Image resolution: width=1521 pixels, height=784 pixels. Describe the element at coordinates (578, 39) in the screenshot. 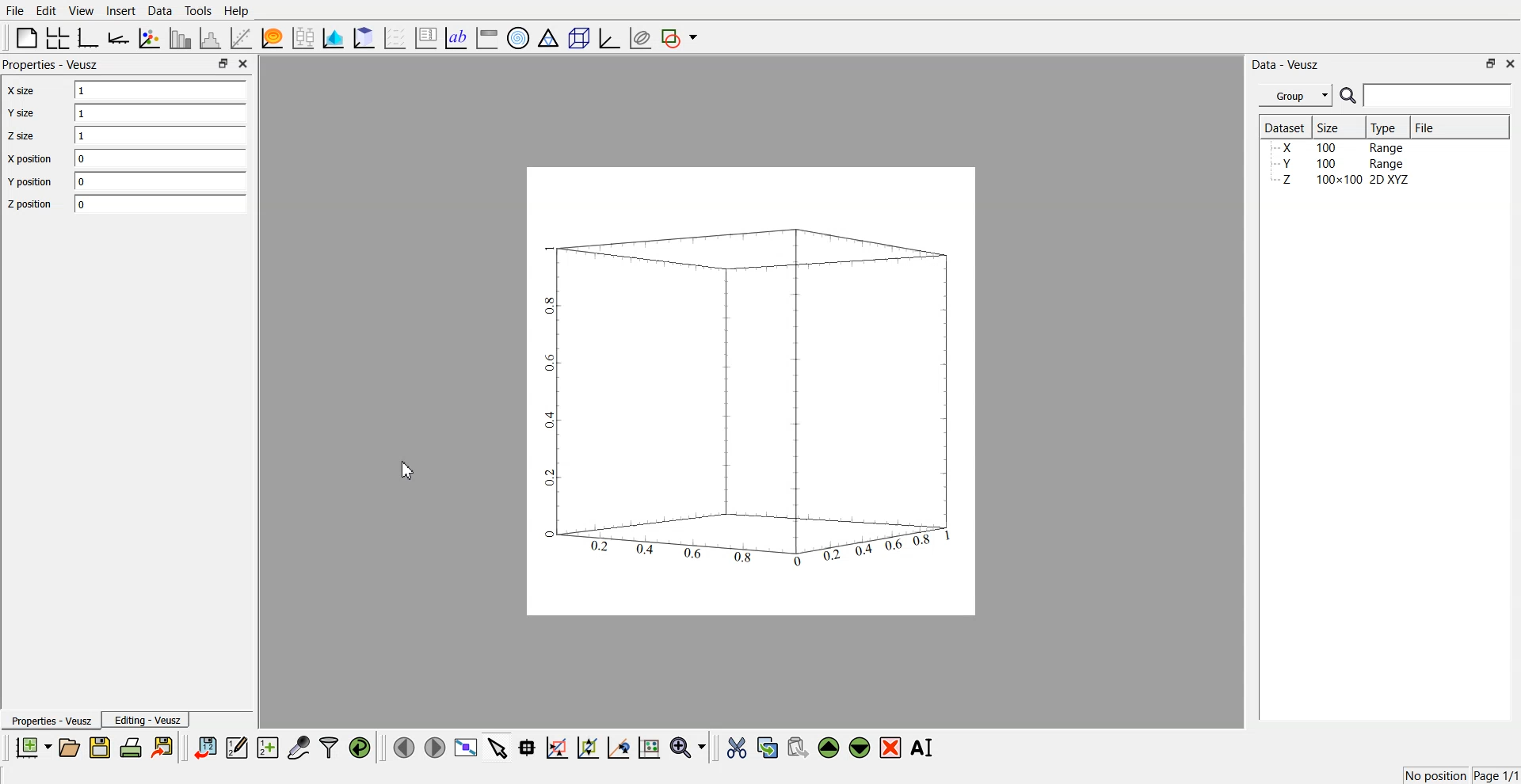

I see `3D Scene` at that location.